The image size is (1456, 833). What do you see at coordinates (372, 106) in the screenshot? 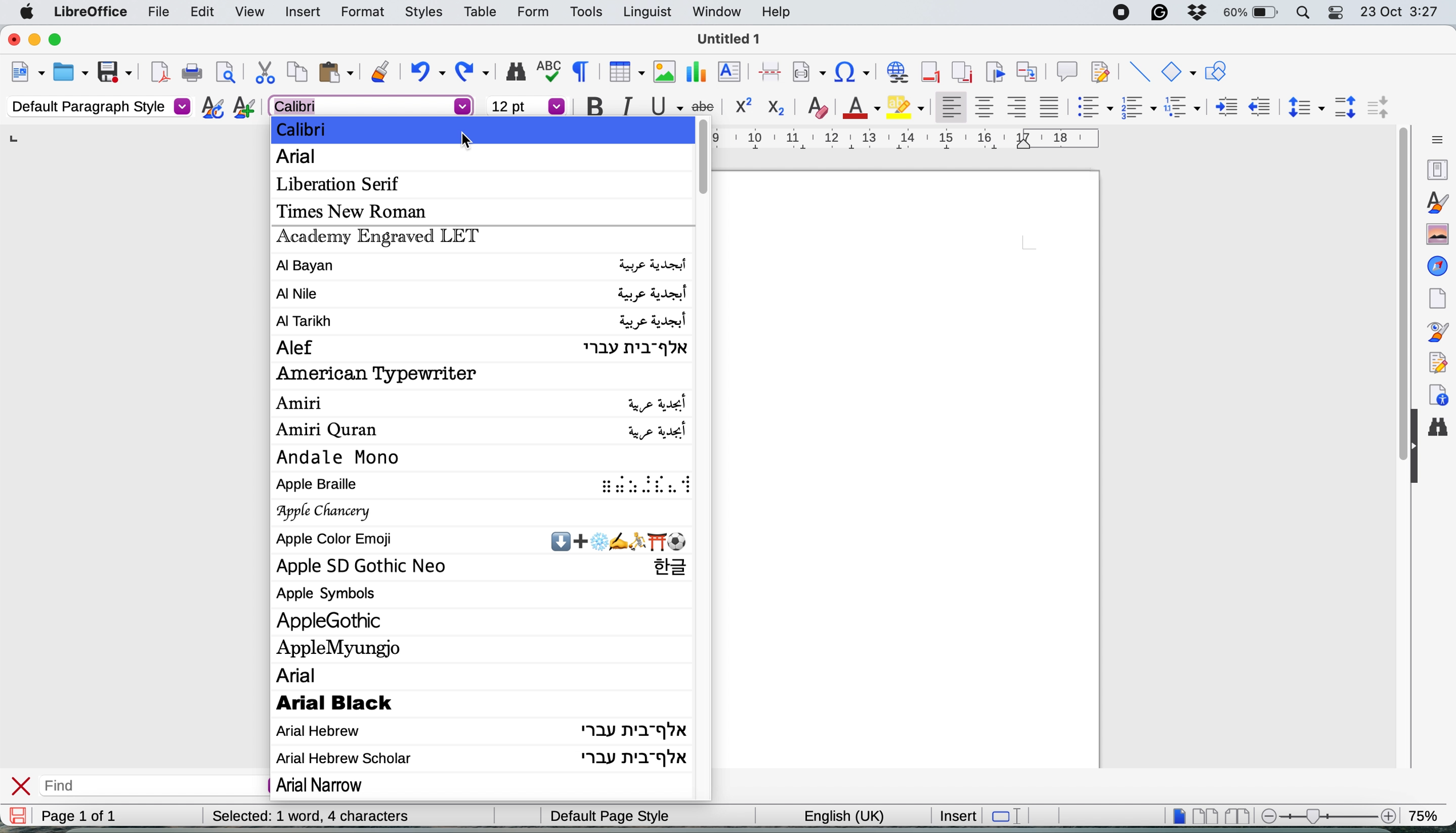
I see `arial` at bounding box center [372, 106].